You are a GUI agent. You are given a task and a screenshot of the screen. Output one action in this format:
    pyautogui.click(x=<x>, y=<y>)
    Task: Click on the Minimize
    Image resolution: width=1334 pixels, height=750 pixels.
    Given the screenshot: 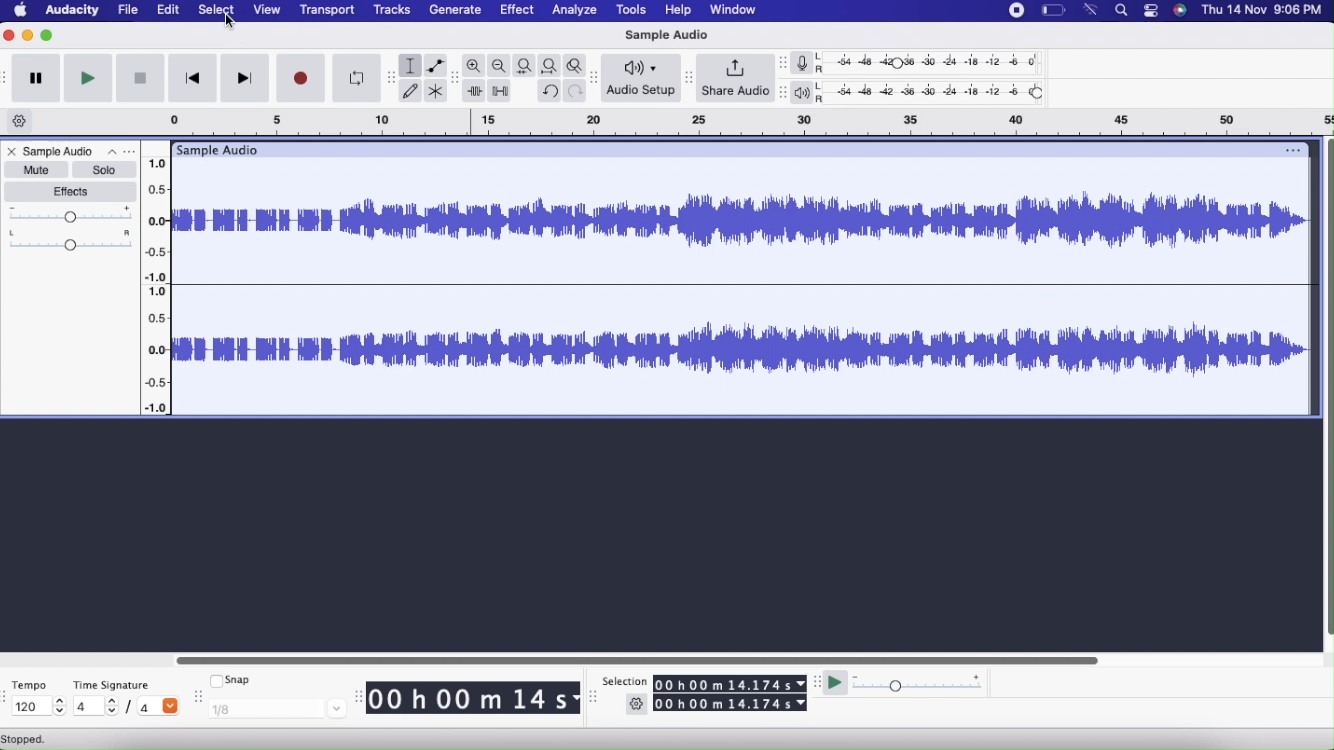 What is the action you would take?
    pyautogui.click(x=27, y=35)
    